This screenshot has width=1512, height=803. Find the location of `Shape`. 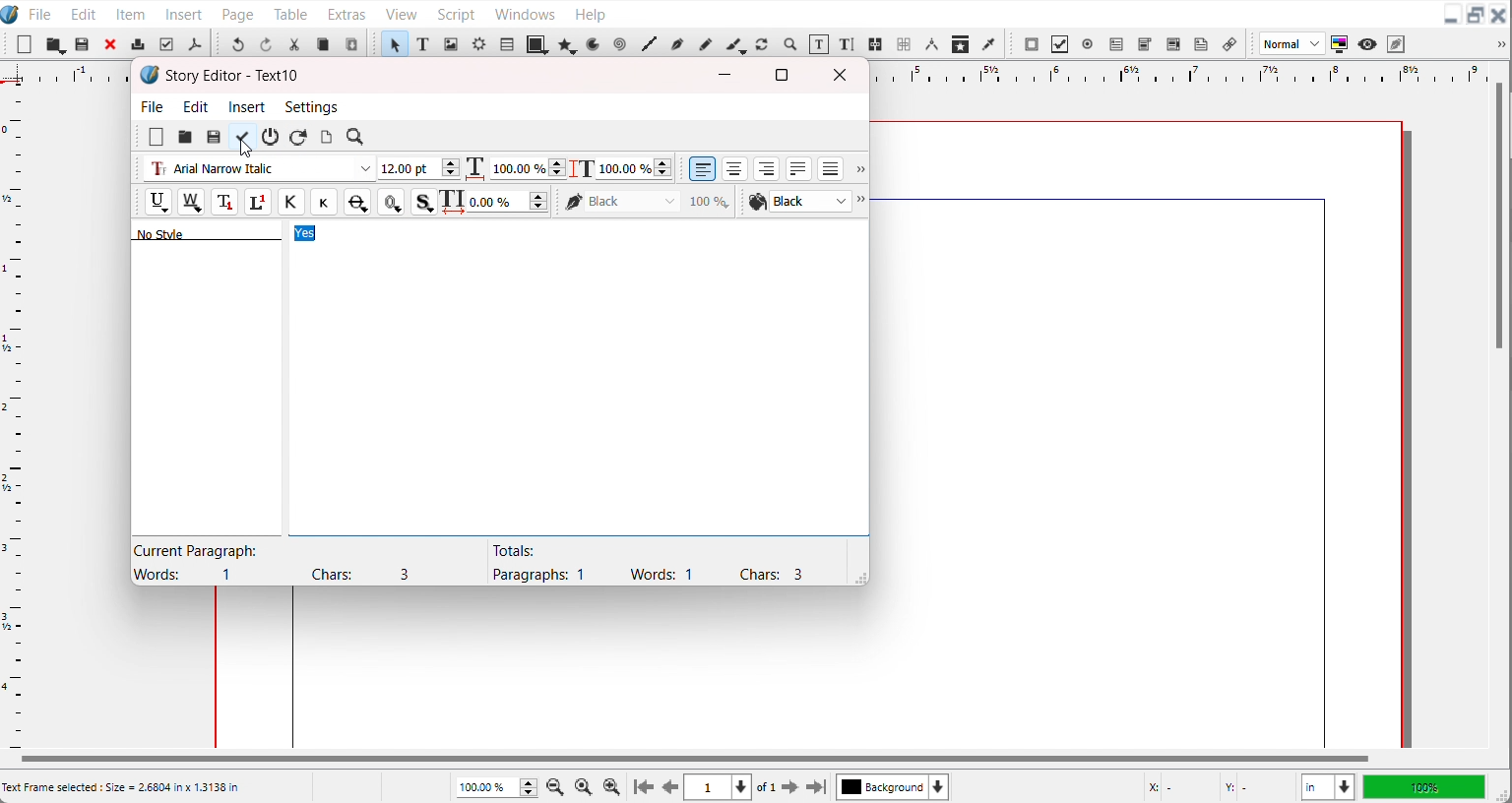

Shape is located at coordinates (537, 43).